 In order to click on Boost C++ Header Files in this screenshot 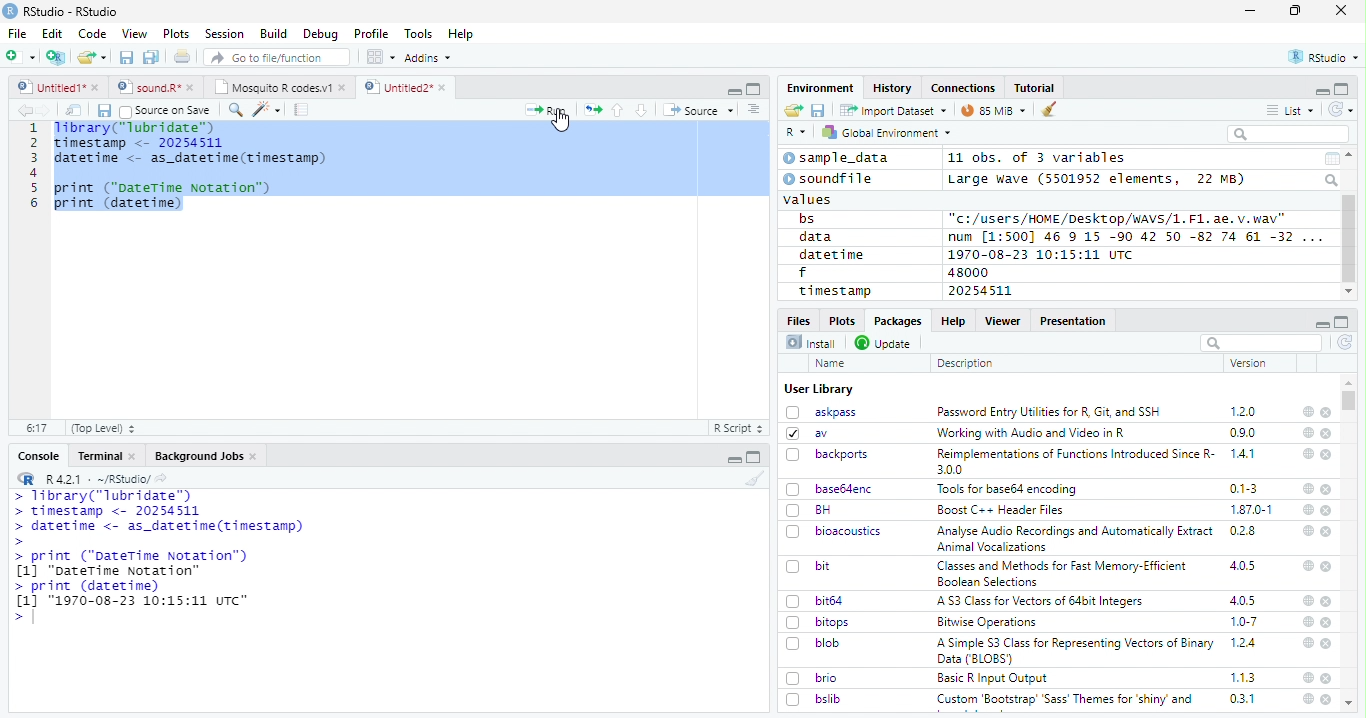, I will do `click(998, 511)`.